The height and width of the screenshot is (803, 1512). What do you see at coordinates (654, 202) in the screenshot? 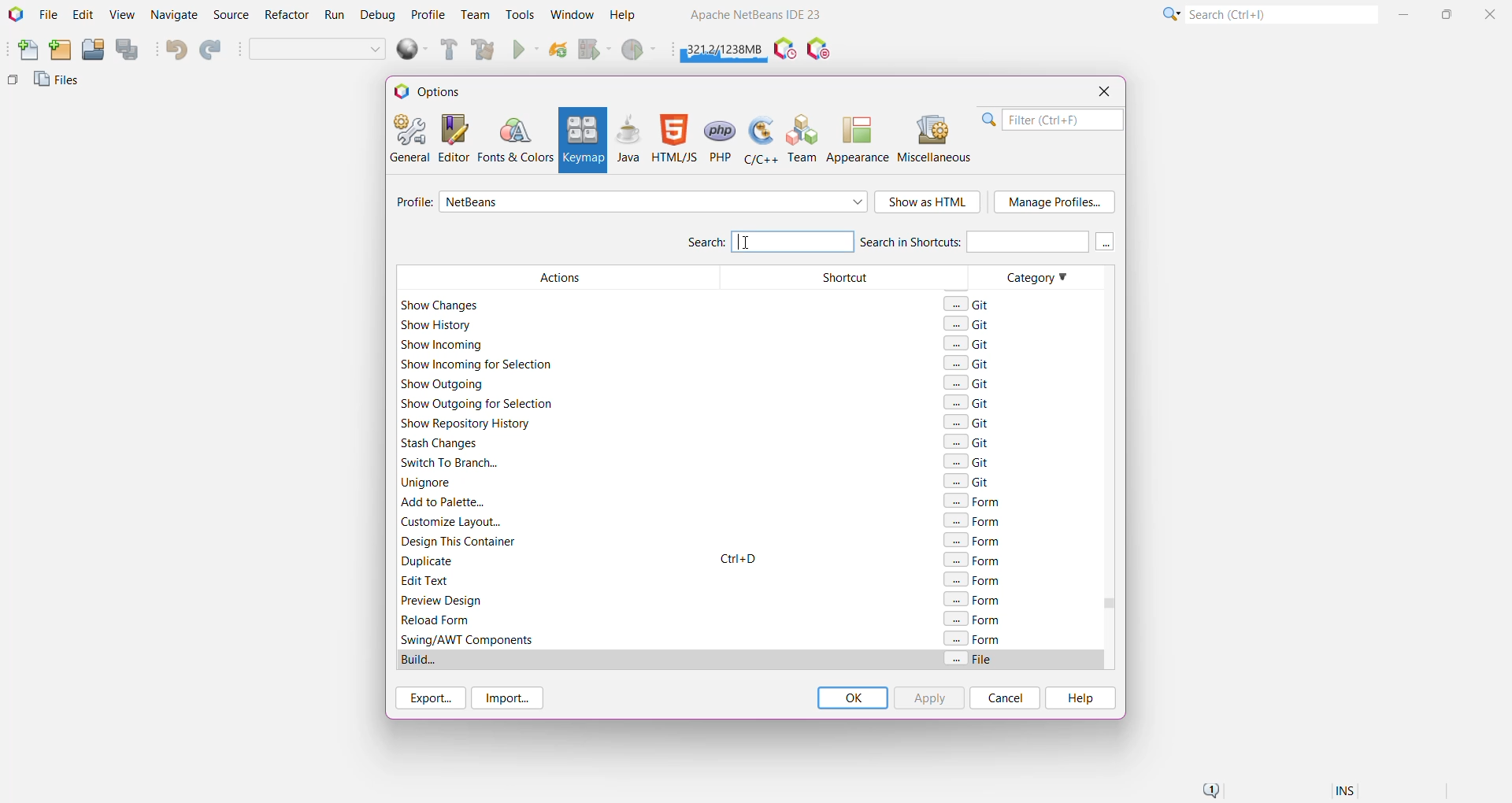
I see `Select required profile from the list` at bounding box center [654, 202].